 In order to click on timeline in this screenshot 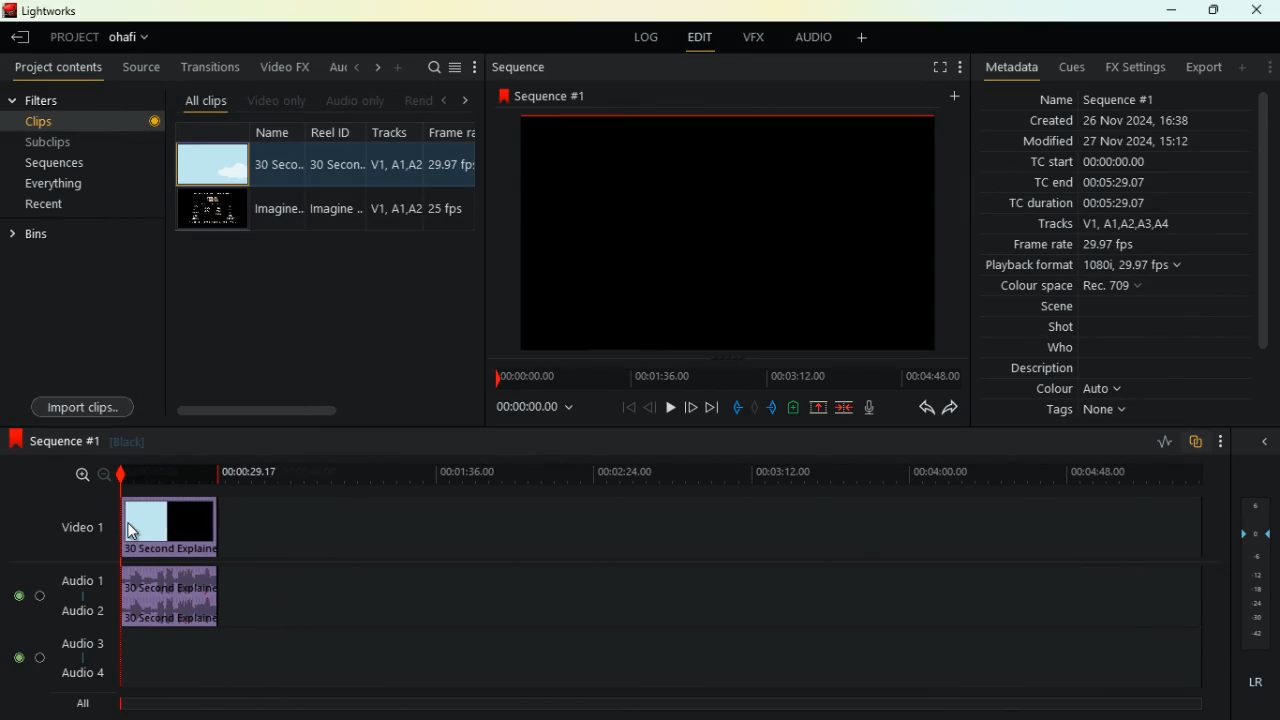, I will do `click(658, 476)`.